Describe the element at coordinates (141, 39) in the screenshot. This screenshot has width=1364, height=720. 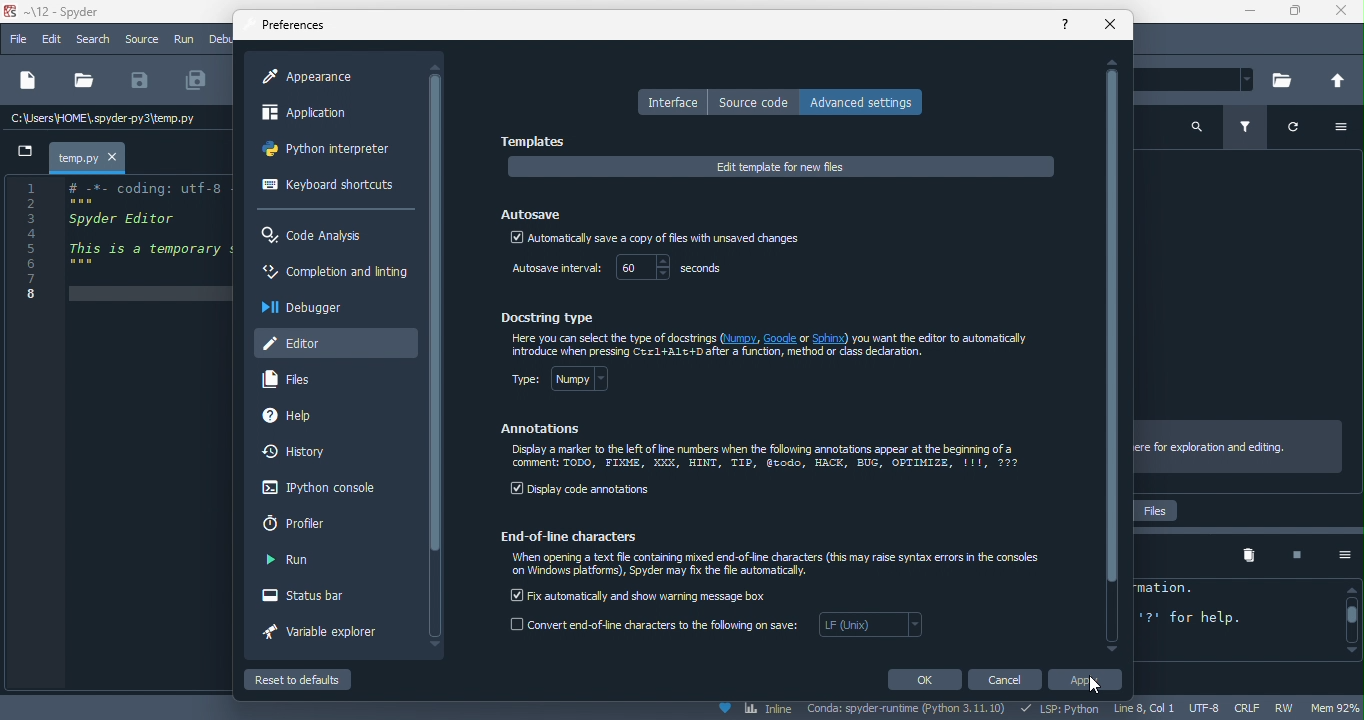
I see `source` at that location.